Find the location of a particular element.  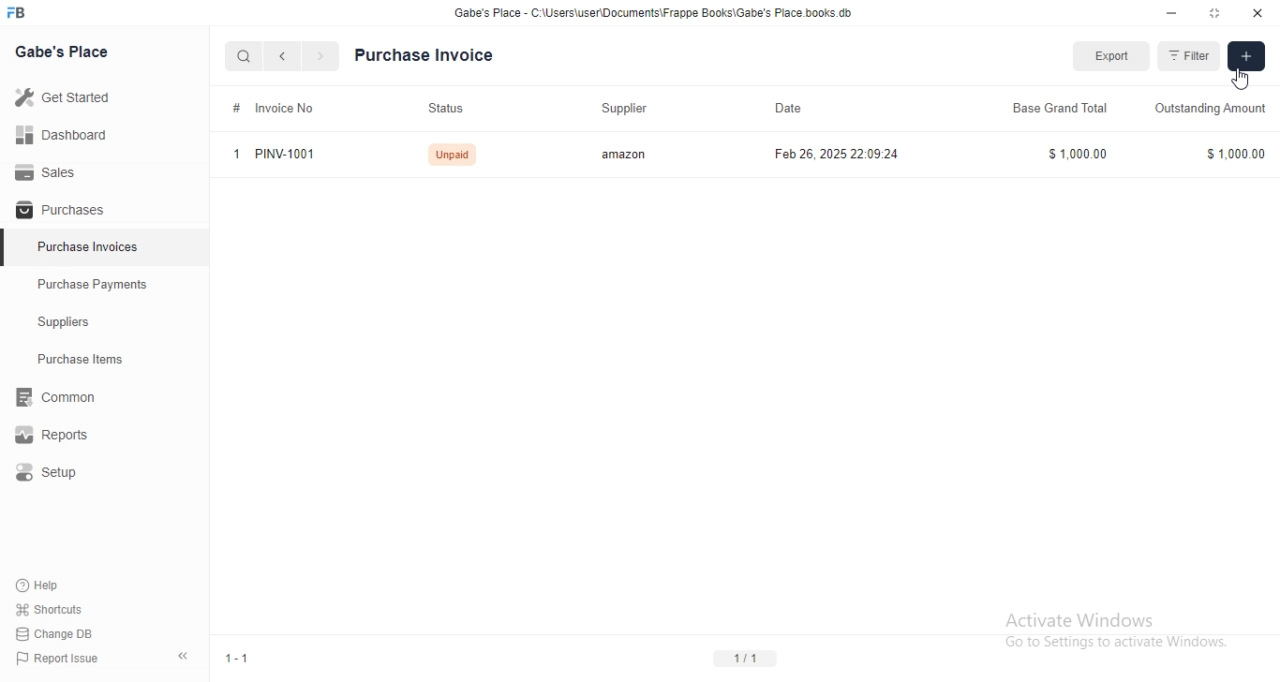

1 PINV-1001 is located at coordinates (274, 154).